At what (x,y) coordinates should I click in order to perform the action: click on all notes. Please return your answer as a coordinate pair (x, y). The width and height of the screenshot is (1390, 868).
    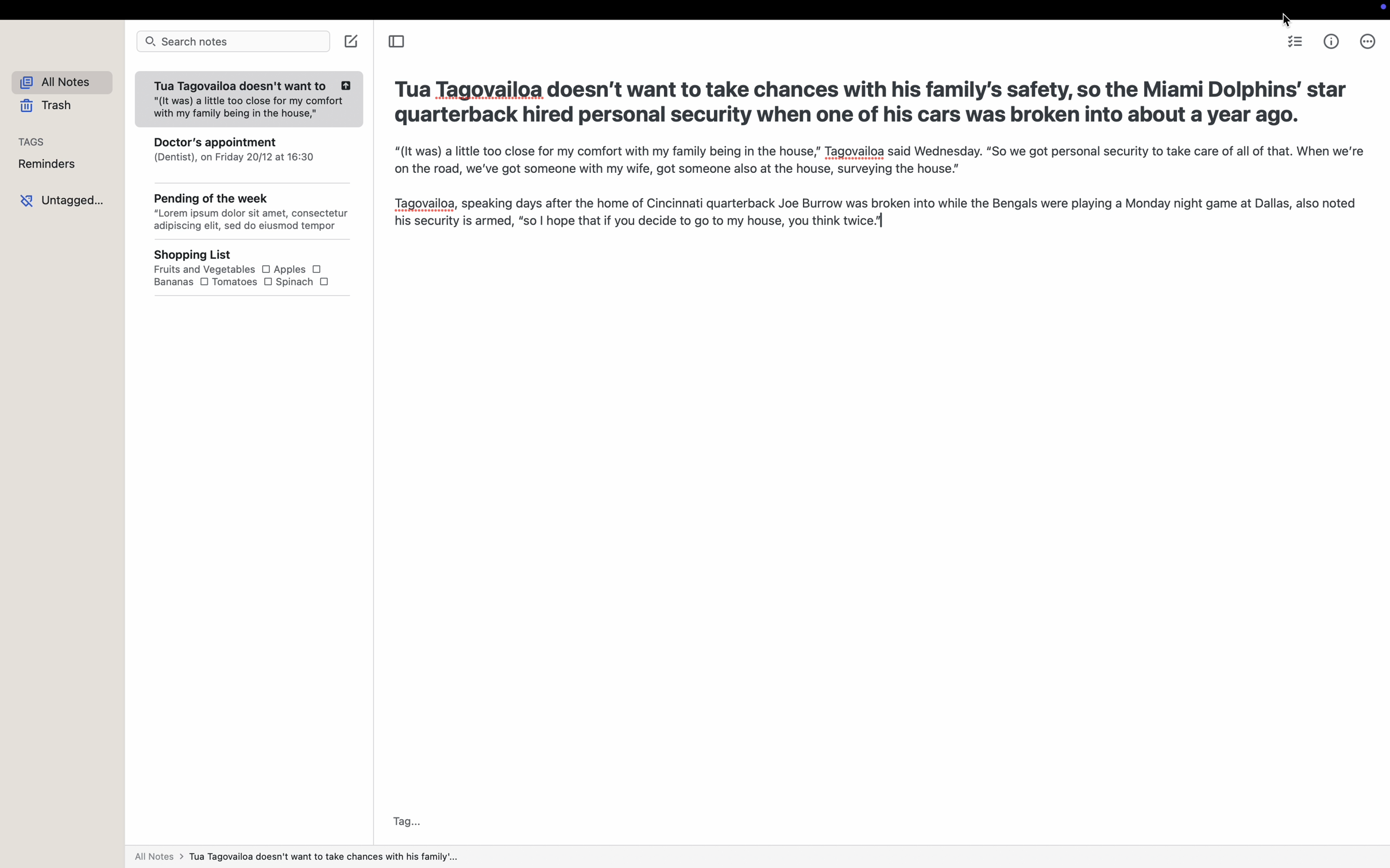
    Looking at the image, I should click on (295, 859).